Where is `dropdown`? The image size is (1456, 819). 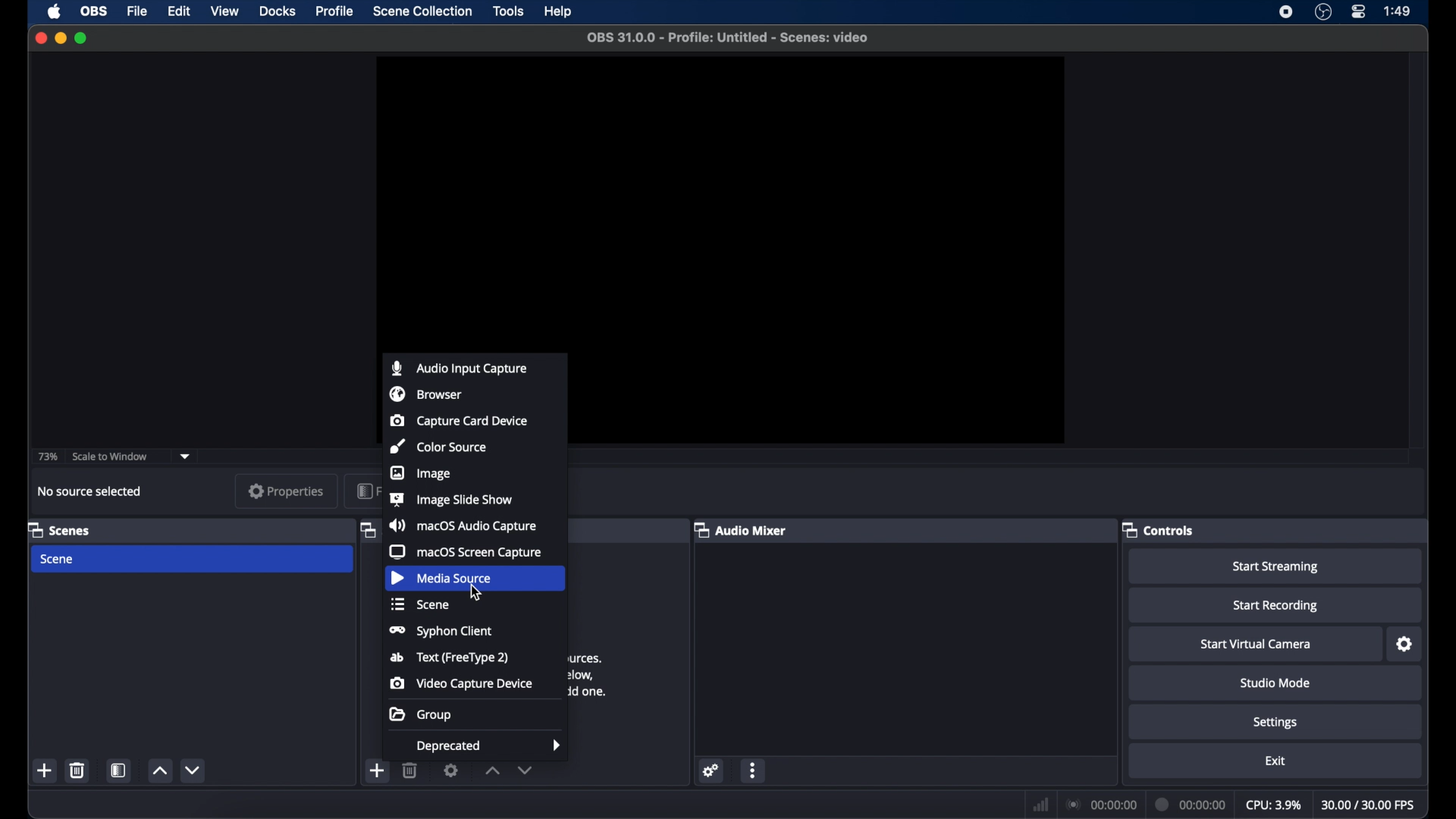
dropdown is located at coordinates (186, 457).